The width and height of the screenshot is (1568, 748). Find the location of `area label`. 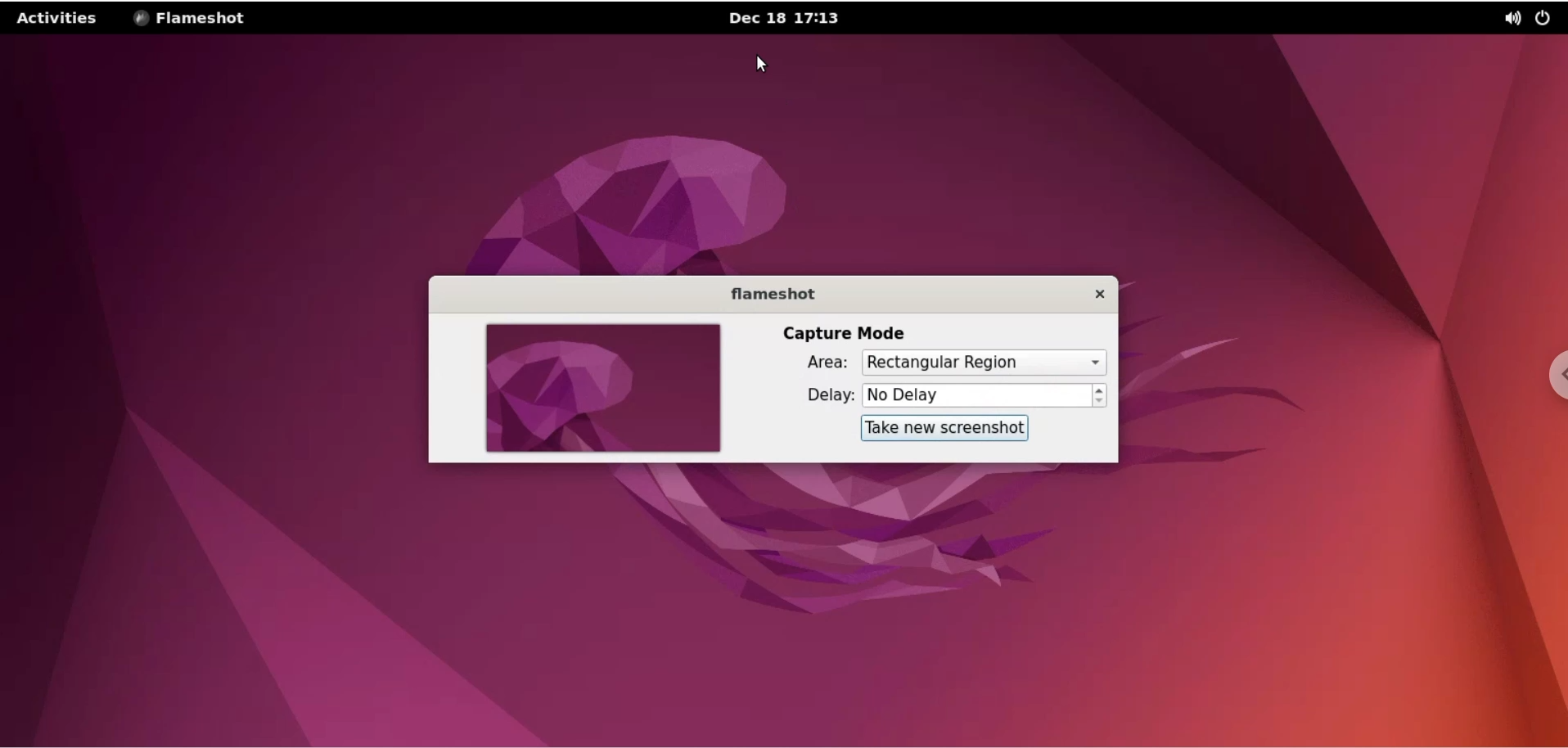

area label is located at coordinates (819, 363).